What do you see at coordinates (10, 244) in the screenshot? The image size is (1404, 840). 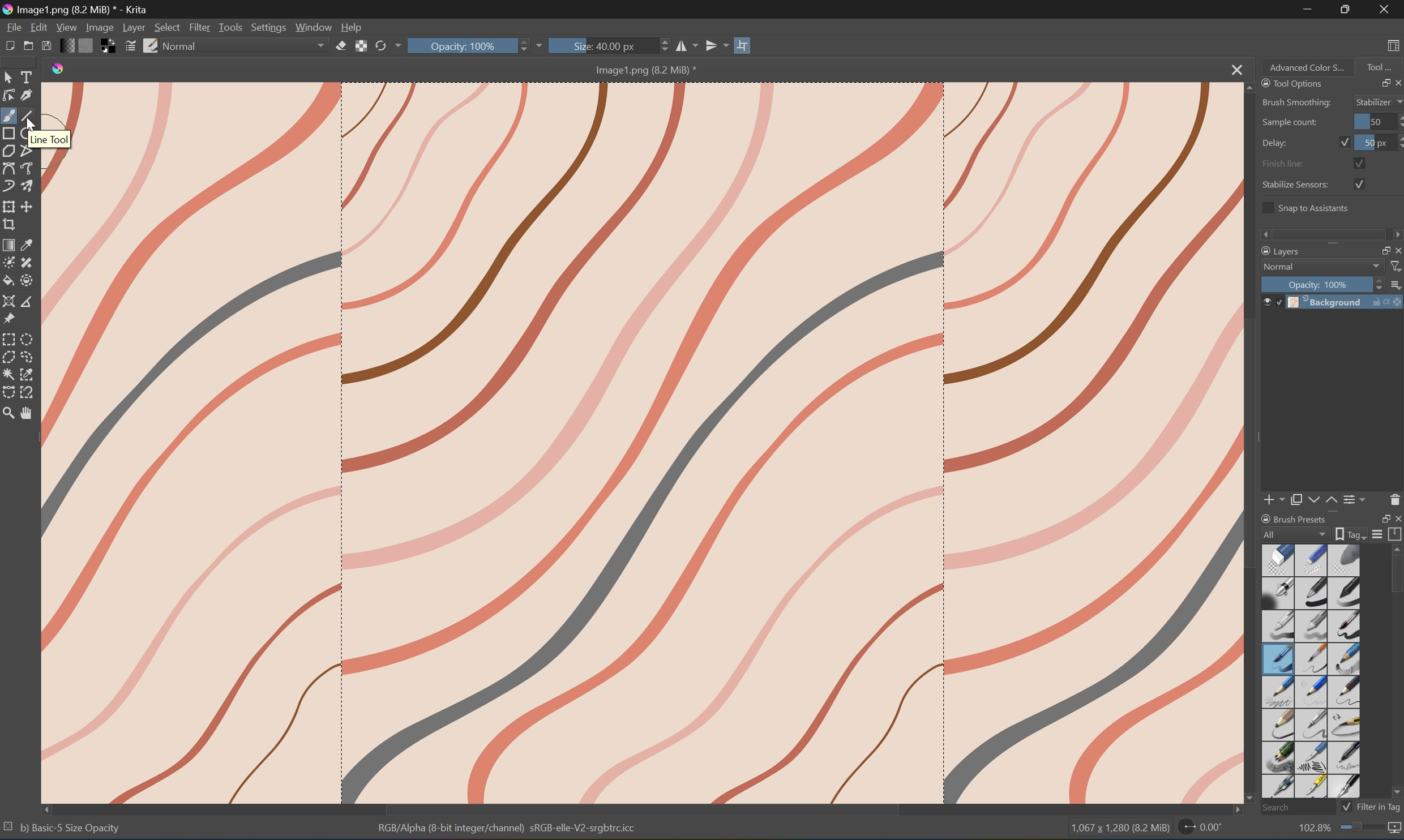 I see `Draw a gradient` at bounding box center [10, 244].